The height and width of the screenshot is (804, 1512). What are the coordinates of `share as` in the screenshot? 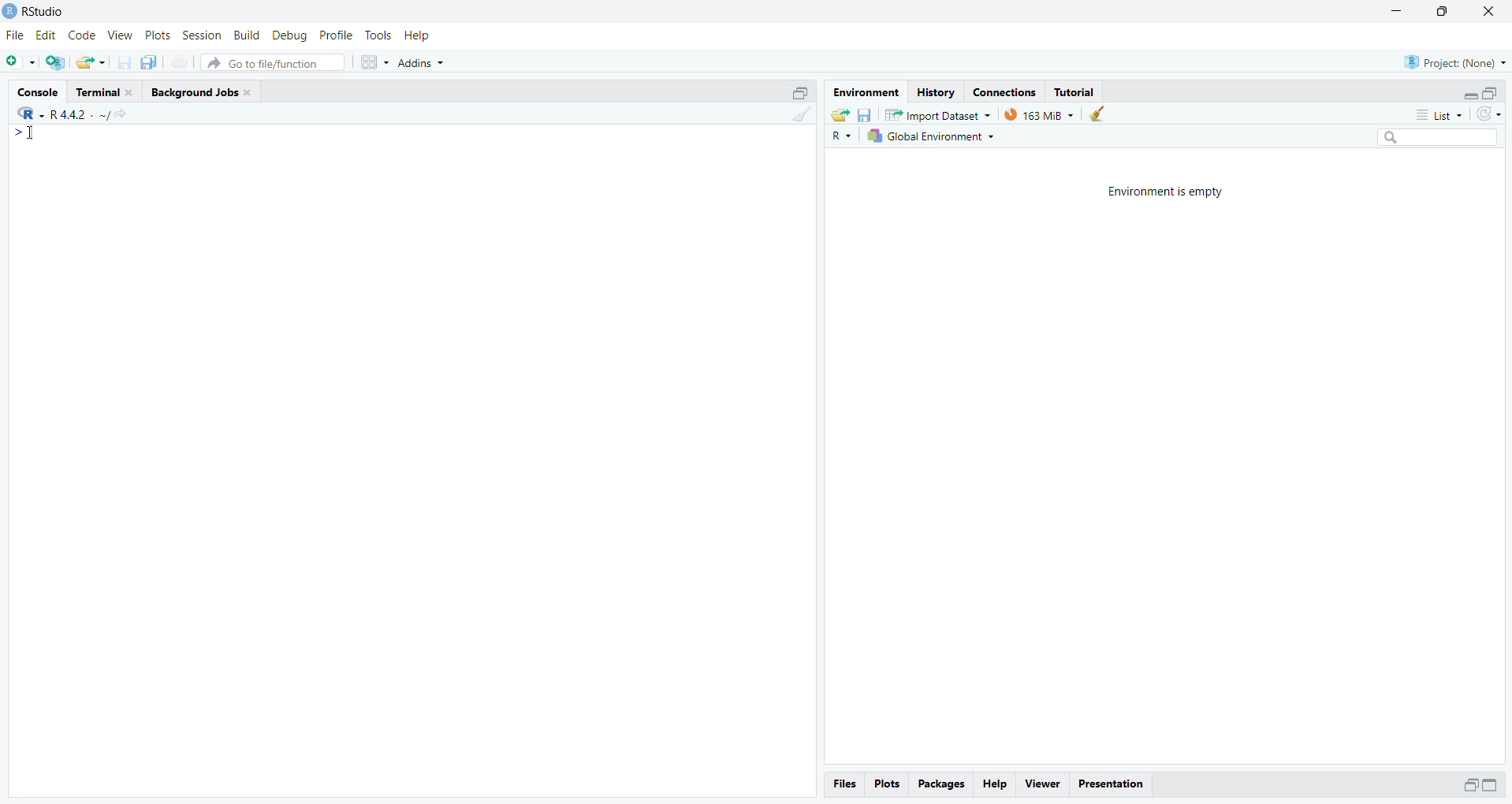 It's located at (91, 62).